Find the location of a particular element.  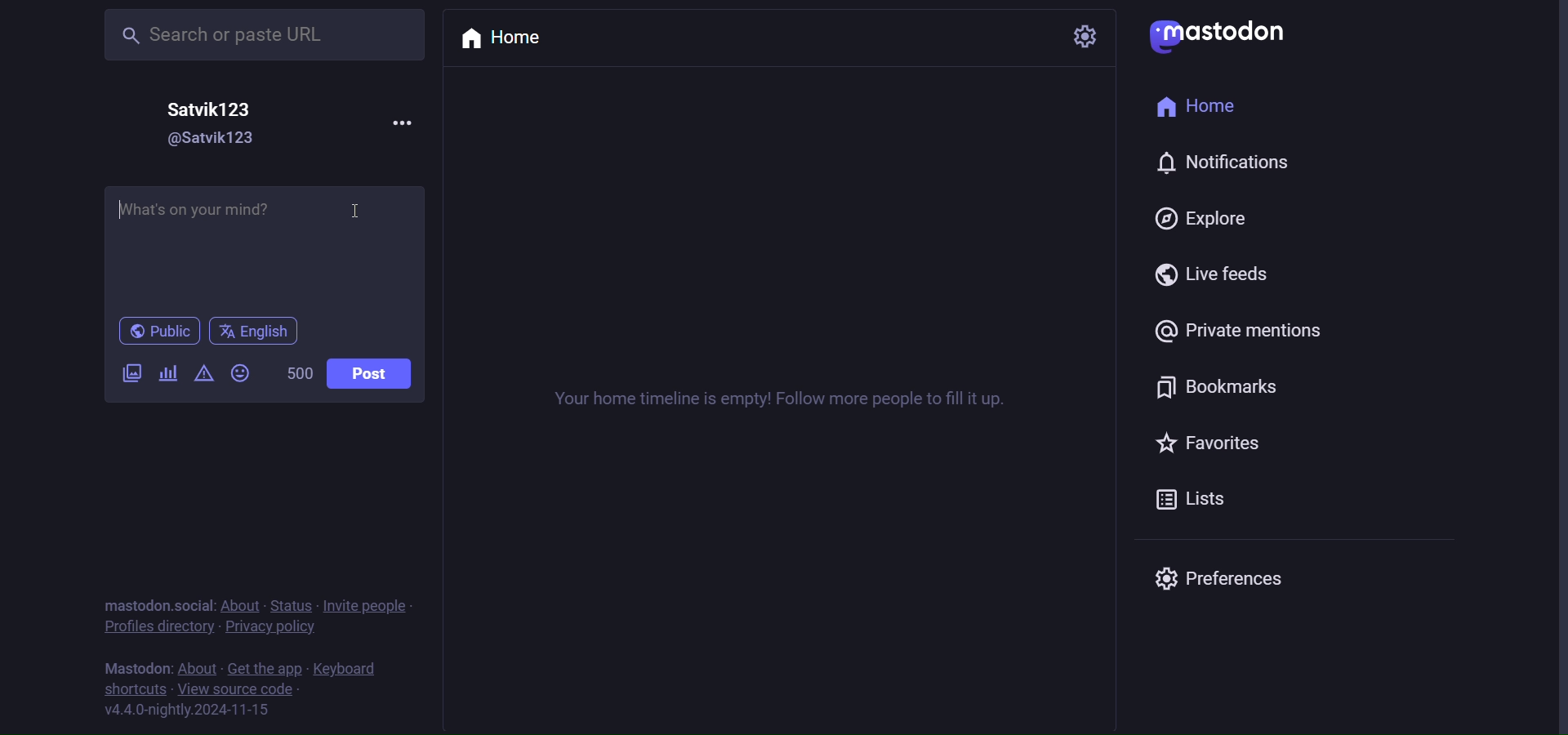

perfect directory is located at coordinates (155, 628).